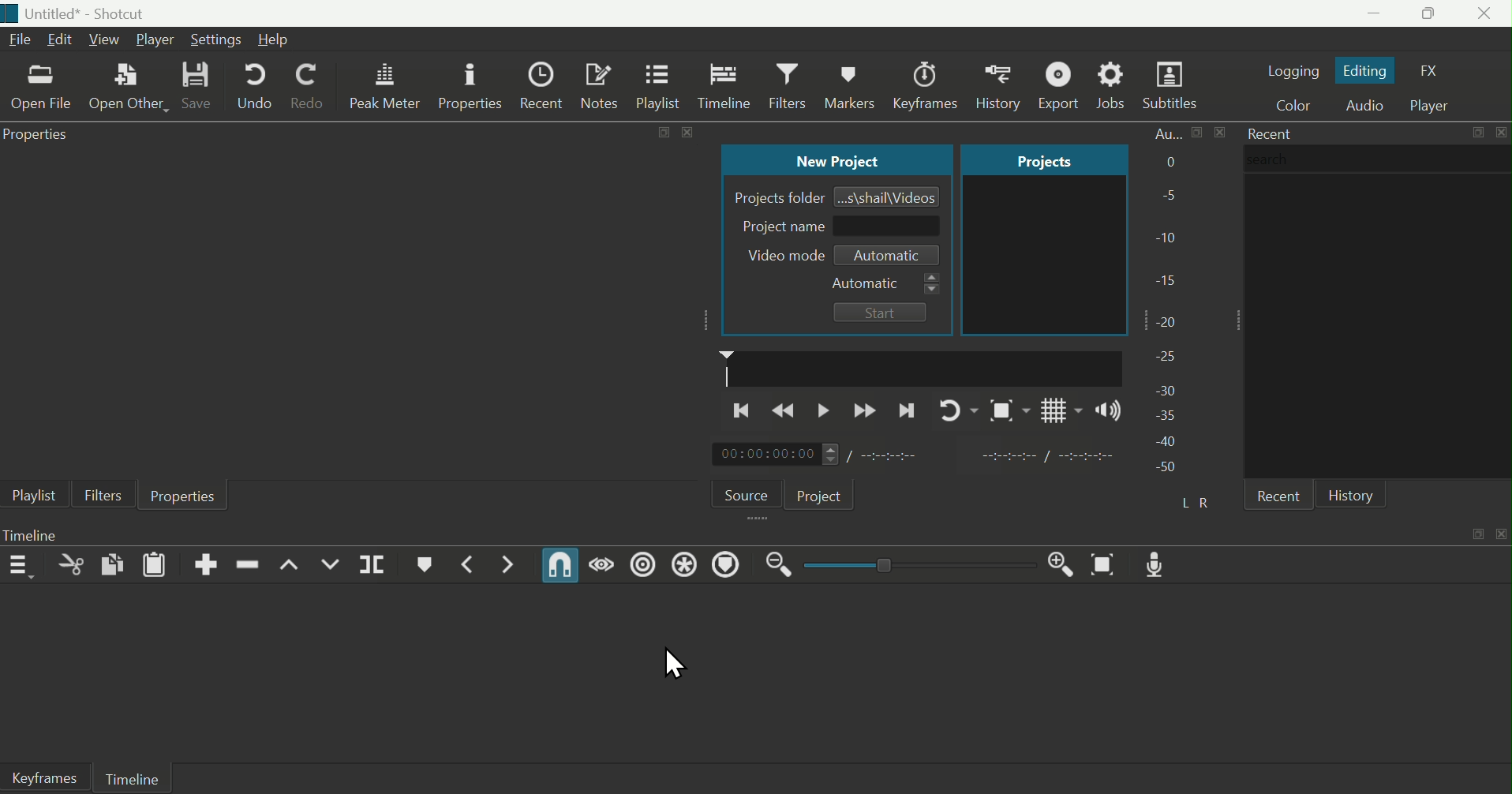 This screenshot has width=1512, height=794. Describe the element at coordinates (728, 566) in the screenshot. I see `Ripple Markers` at that location.